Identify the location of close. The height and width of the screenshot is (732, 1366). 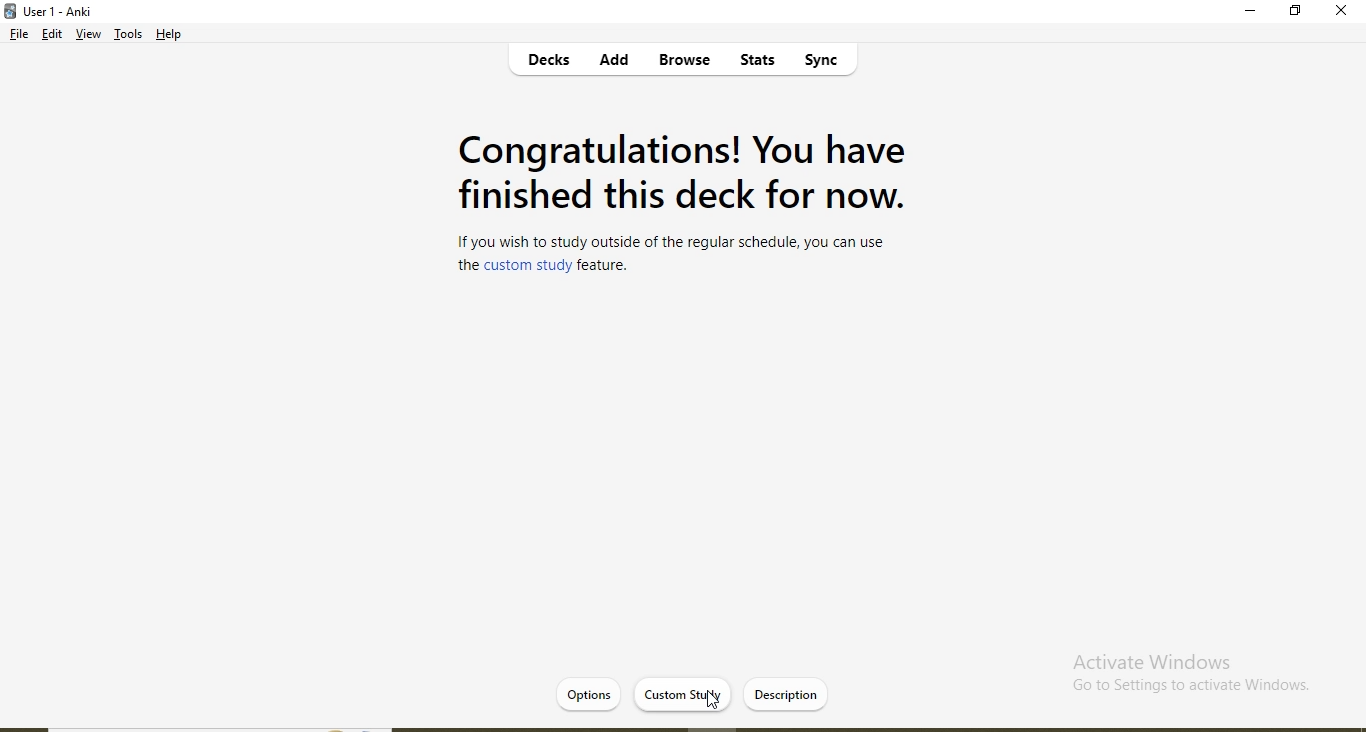
(1341, 12).